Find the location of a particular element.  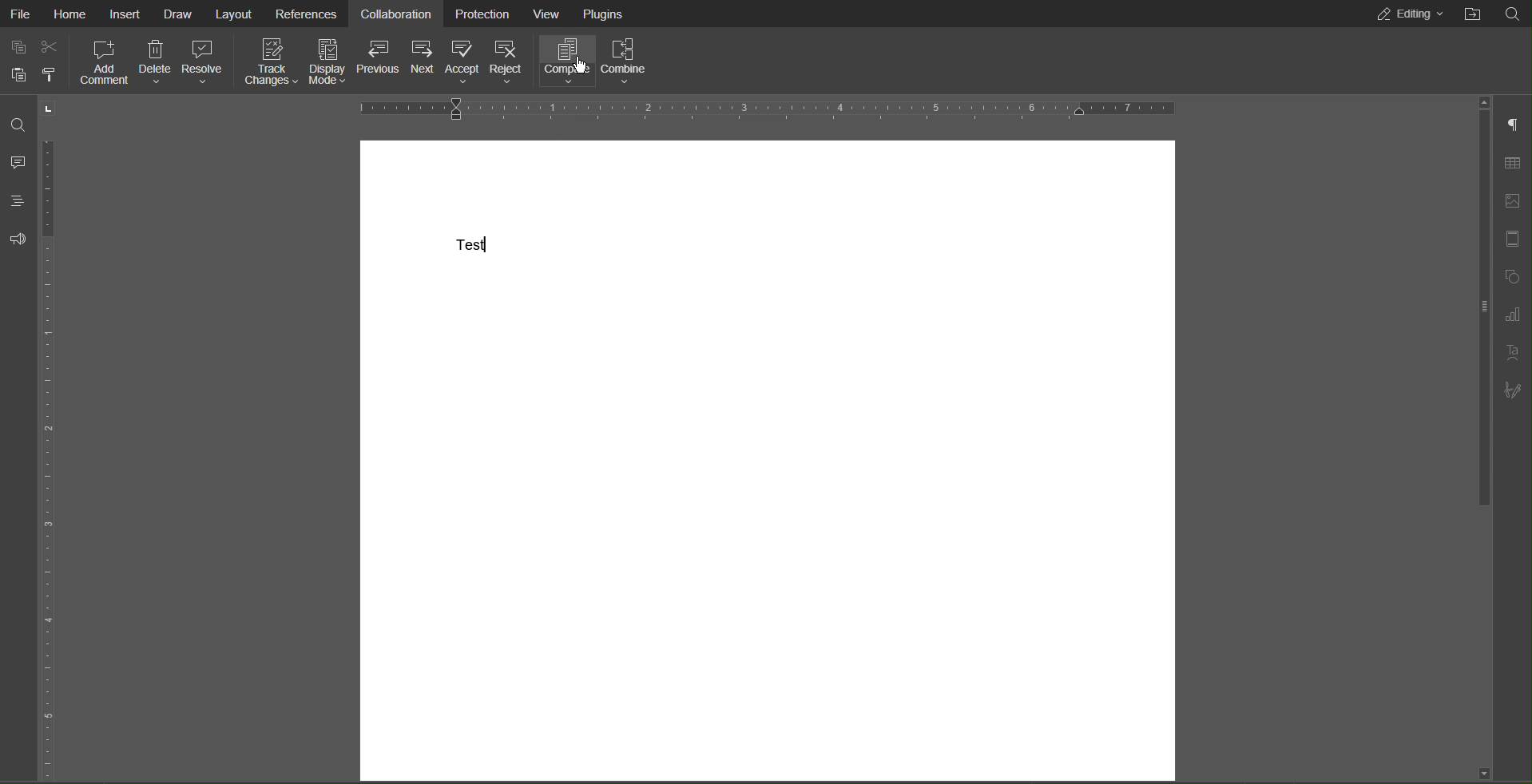

Reject is located at coordinates (510, 64).